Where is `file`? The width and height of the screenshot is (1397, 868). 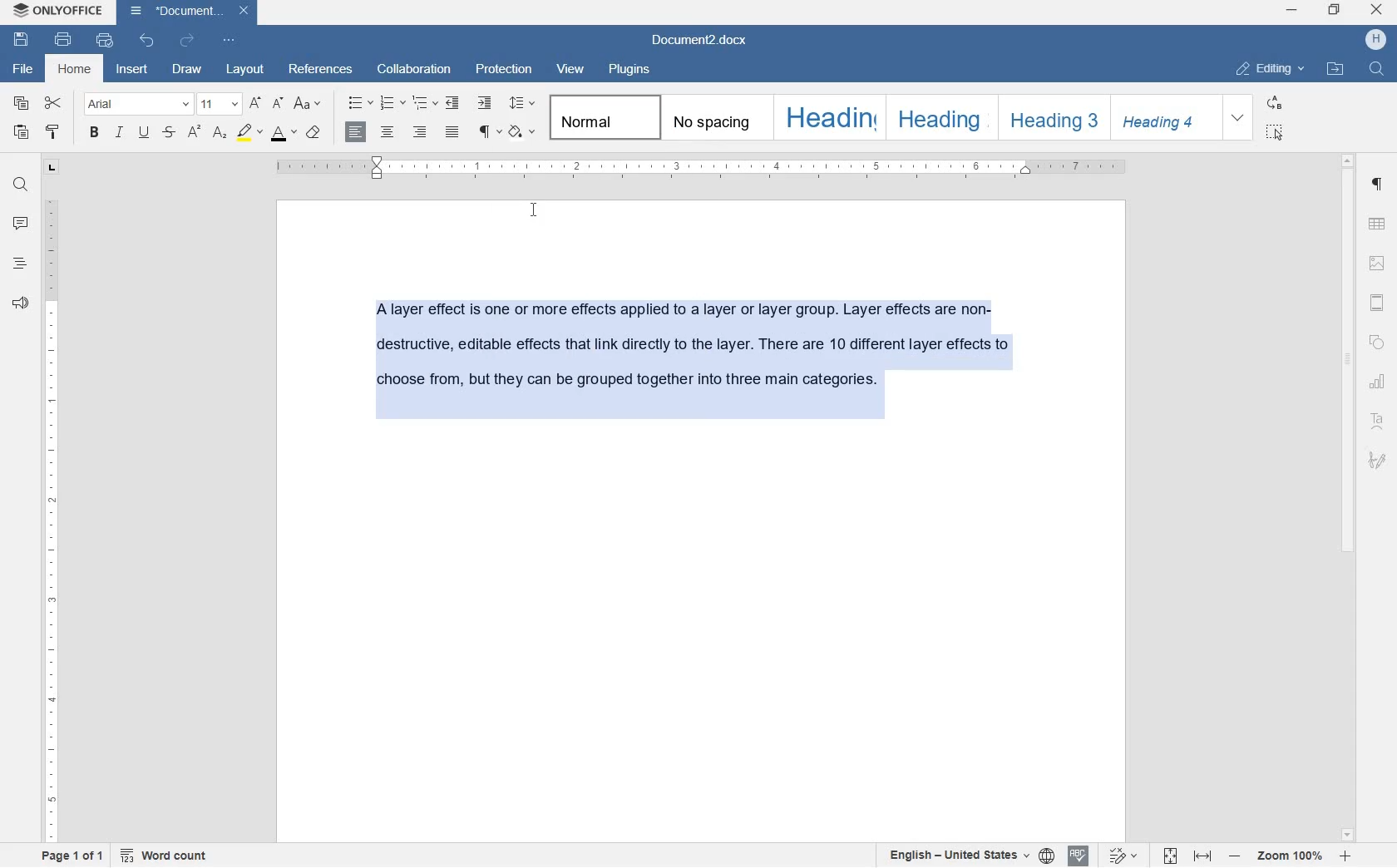
file is located at coordinates (23, 69).